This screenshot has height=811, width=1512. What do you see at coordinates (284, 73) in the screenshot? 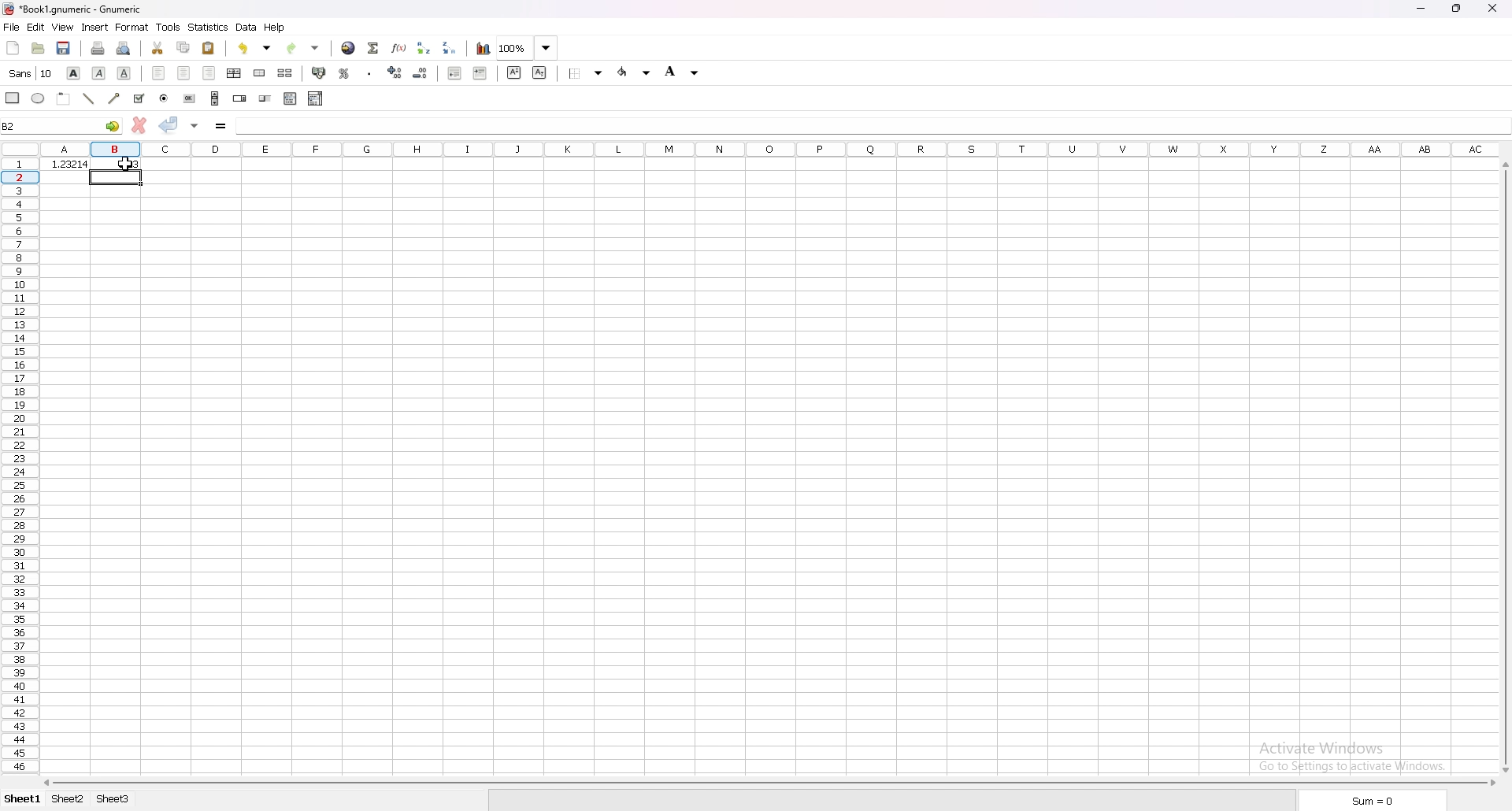
I see `split merged cells` at bounding box center [284, 73].